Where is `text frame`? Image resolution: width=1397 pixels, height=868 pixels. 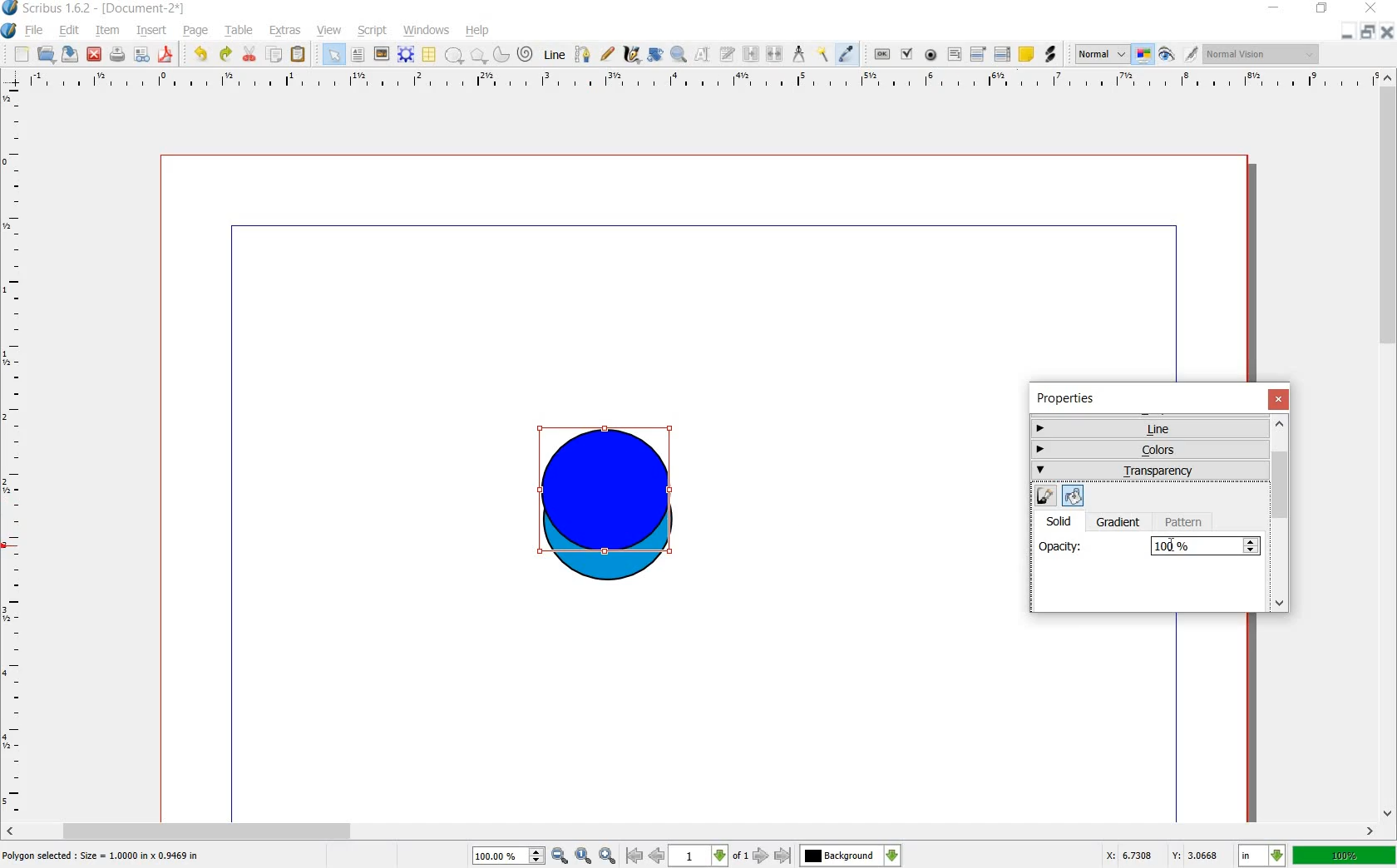
text frame is located at coordinates (358, 55).